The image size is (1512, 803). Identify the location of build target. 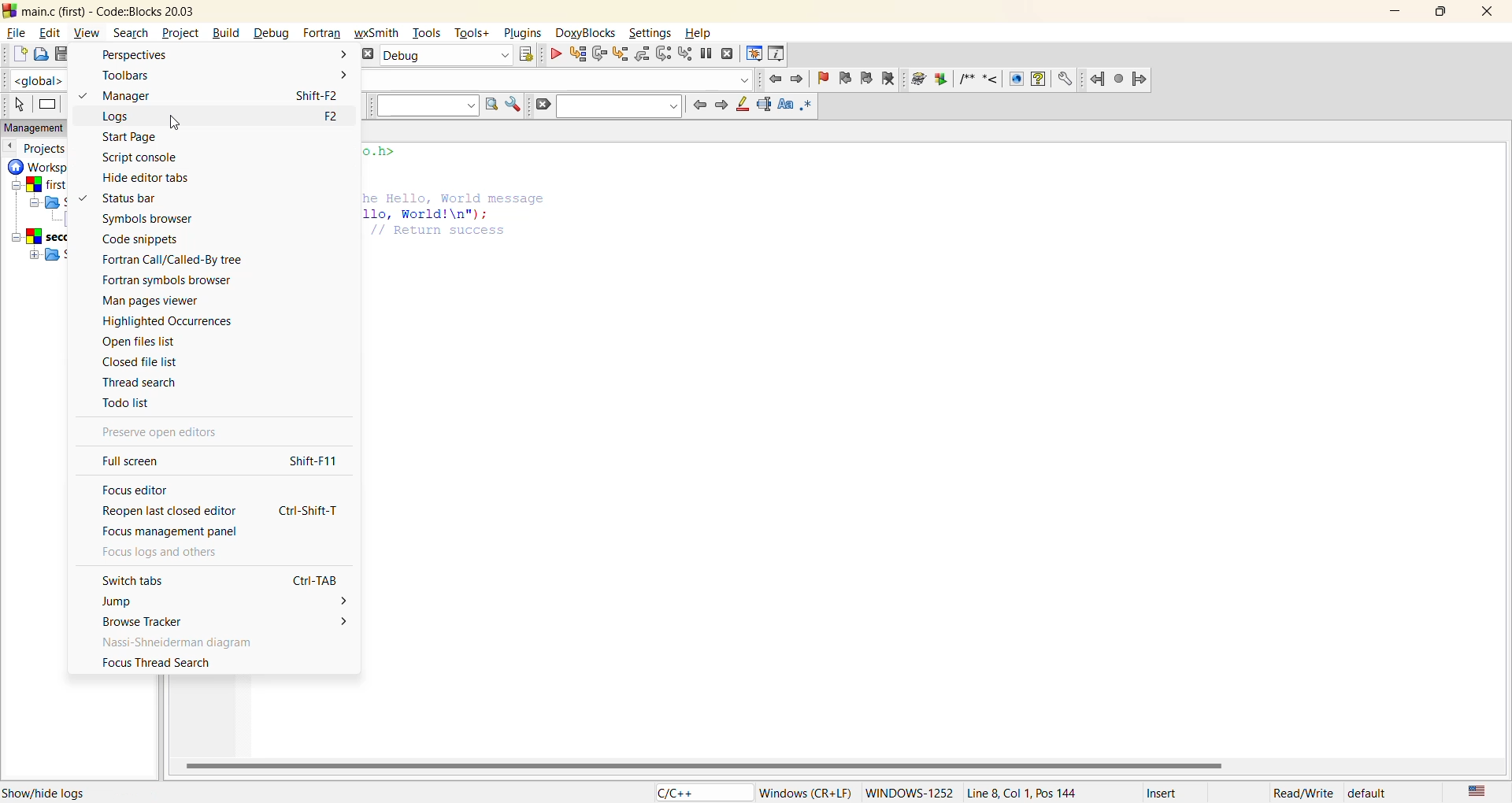
(446, 55).